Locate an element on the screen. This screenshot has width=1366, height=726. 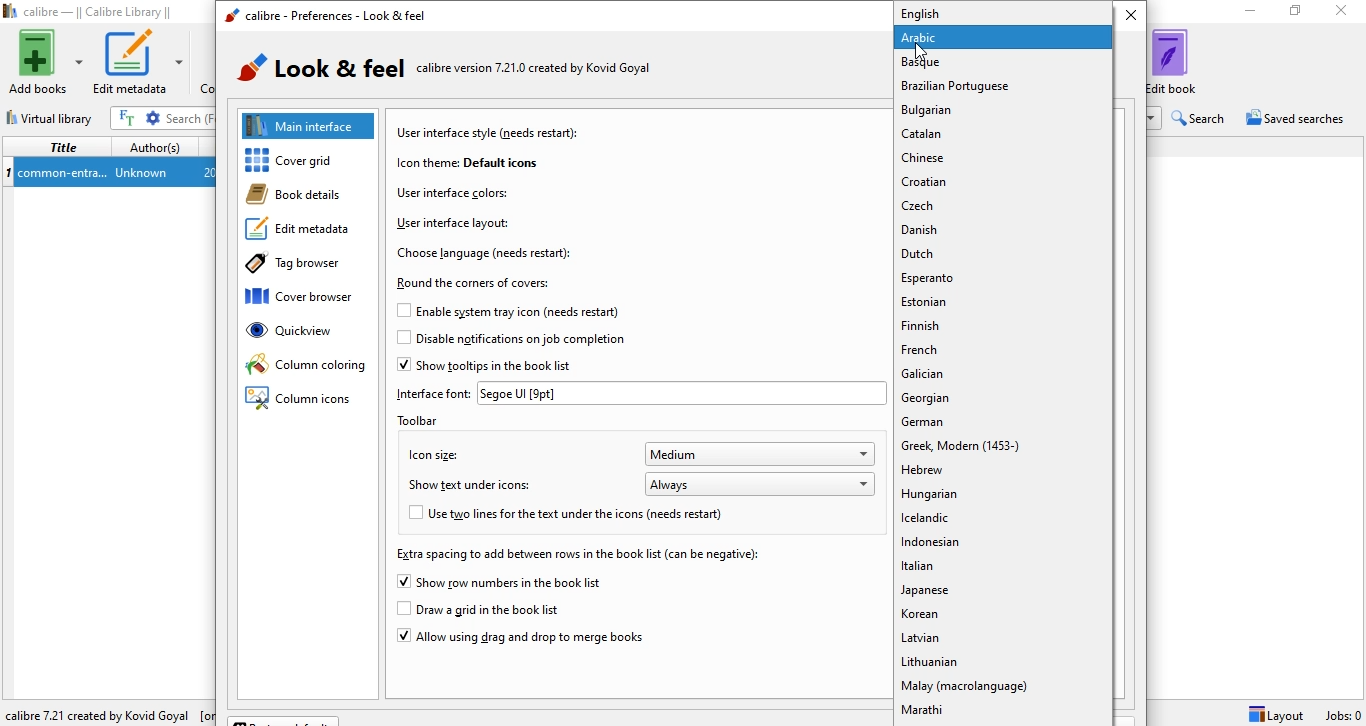
Configure calibre is located at coordinates (106, 711).